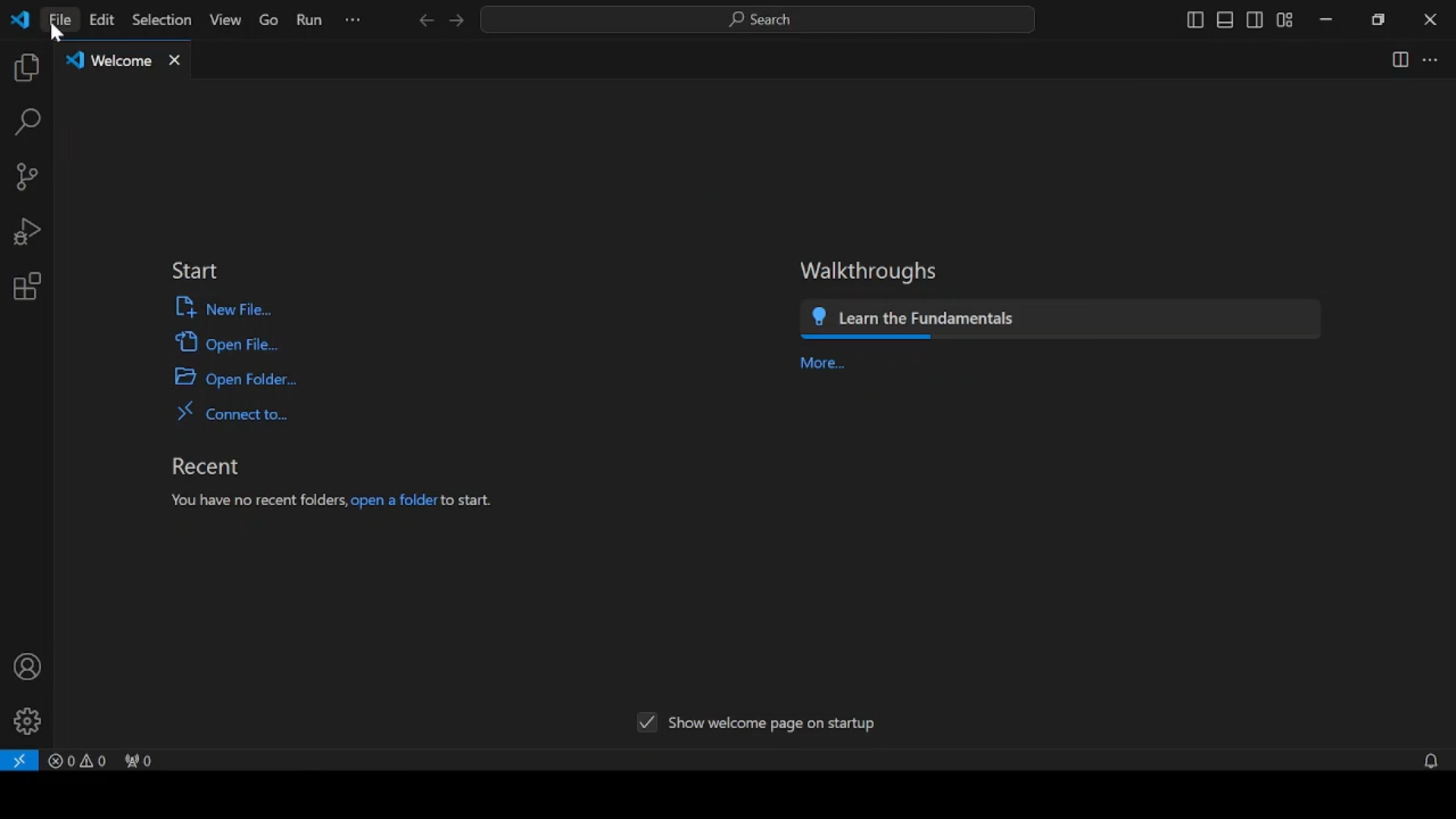 The height and width of the screenshot is (819, 1456). I want to click on manage, so click(27, 722).